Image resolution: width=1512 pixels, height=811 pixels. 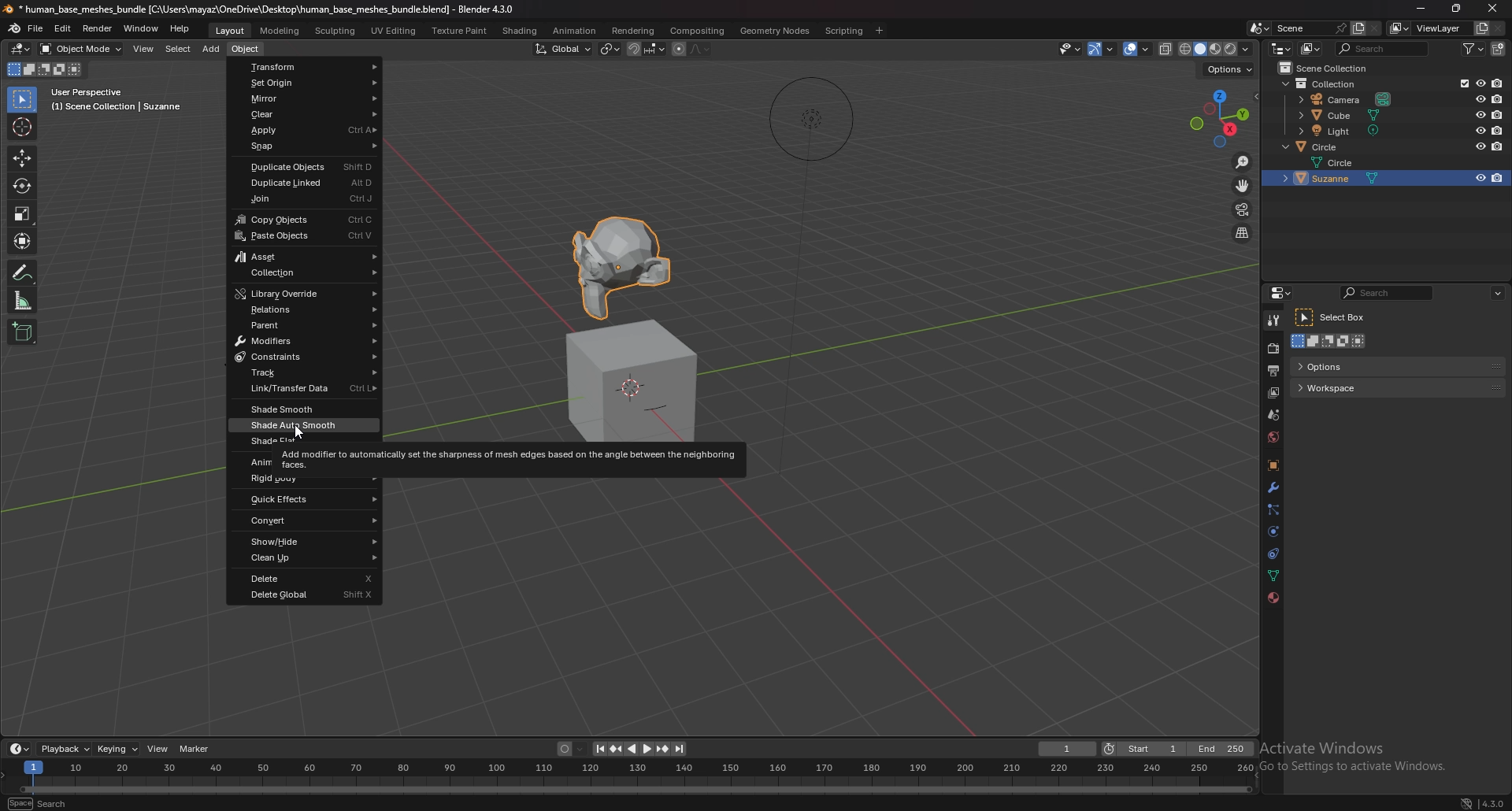 I want to click on uv editing, so click(x=395, y=30).